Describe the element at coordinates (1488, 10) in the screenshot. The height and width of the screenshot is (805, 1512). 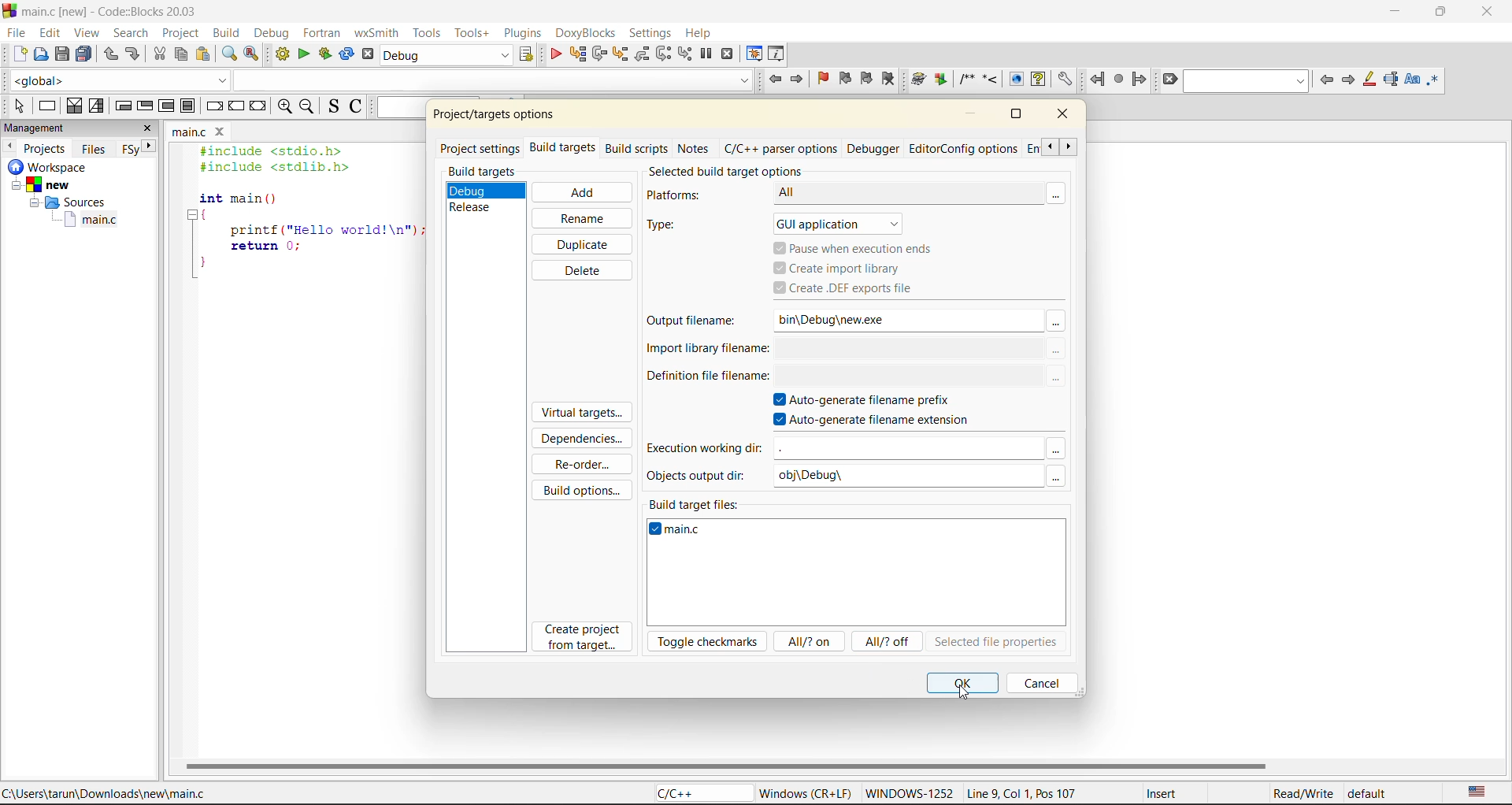
I see `close` at that location.